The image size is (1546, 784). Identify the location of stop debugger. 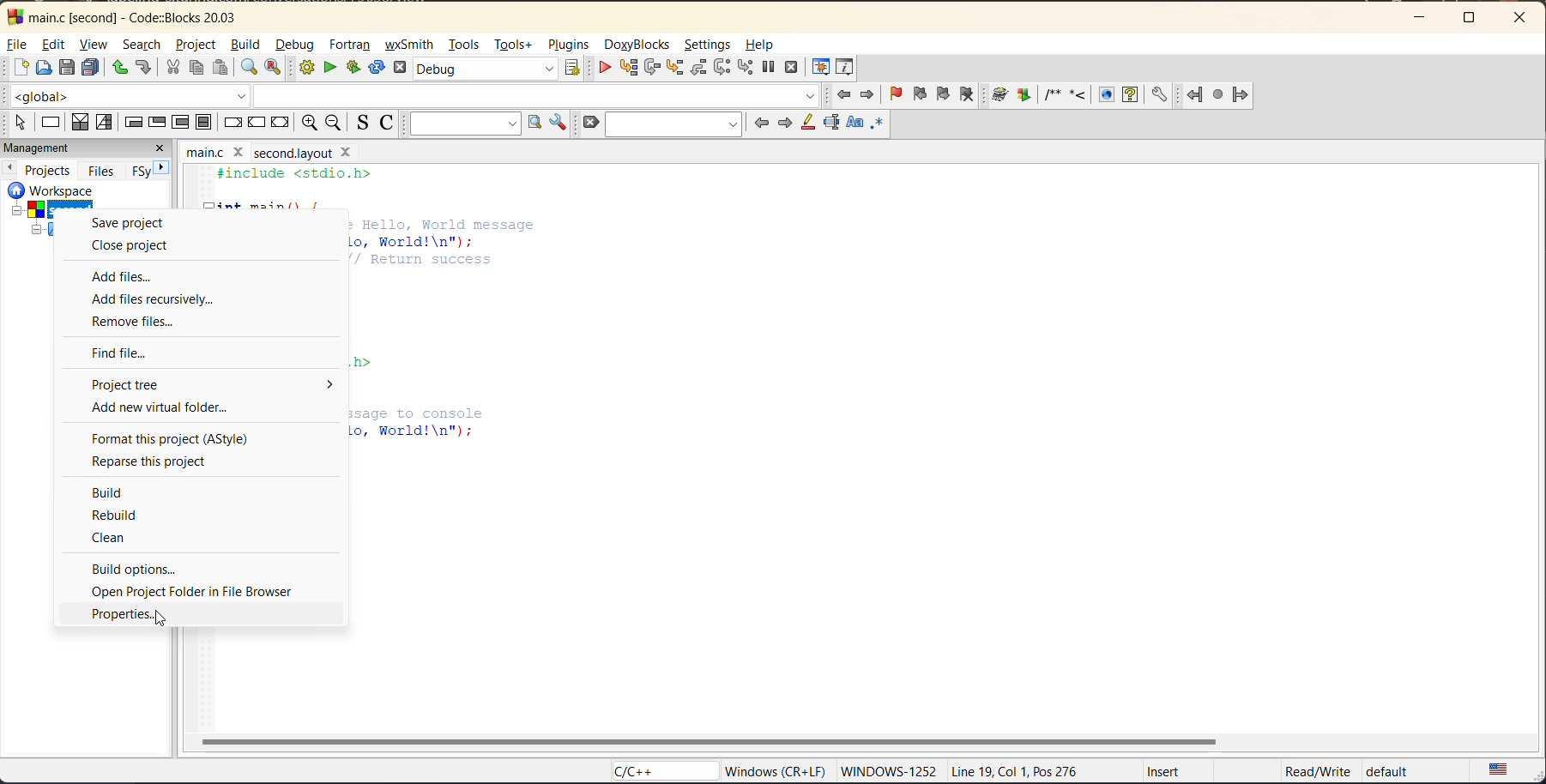
(793, 68).